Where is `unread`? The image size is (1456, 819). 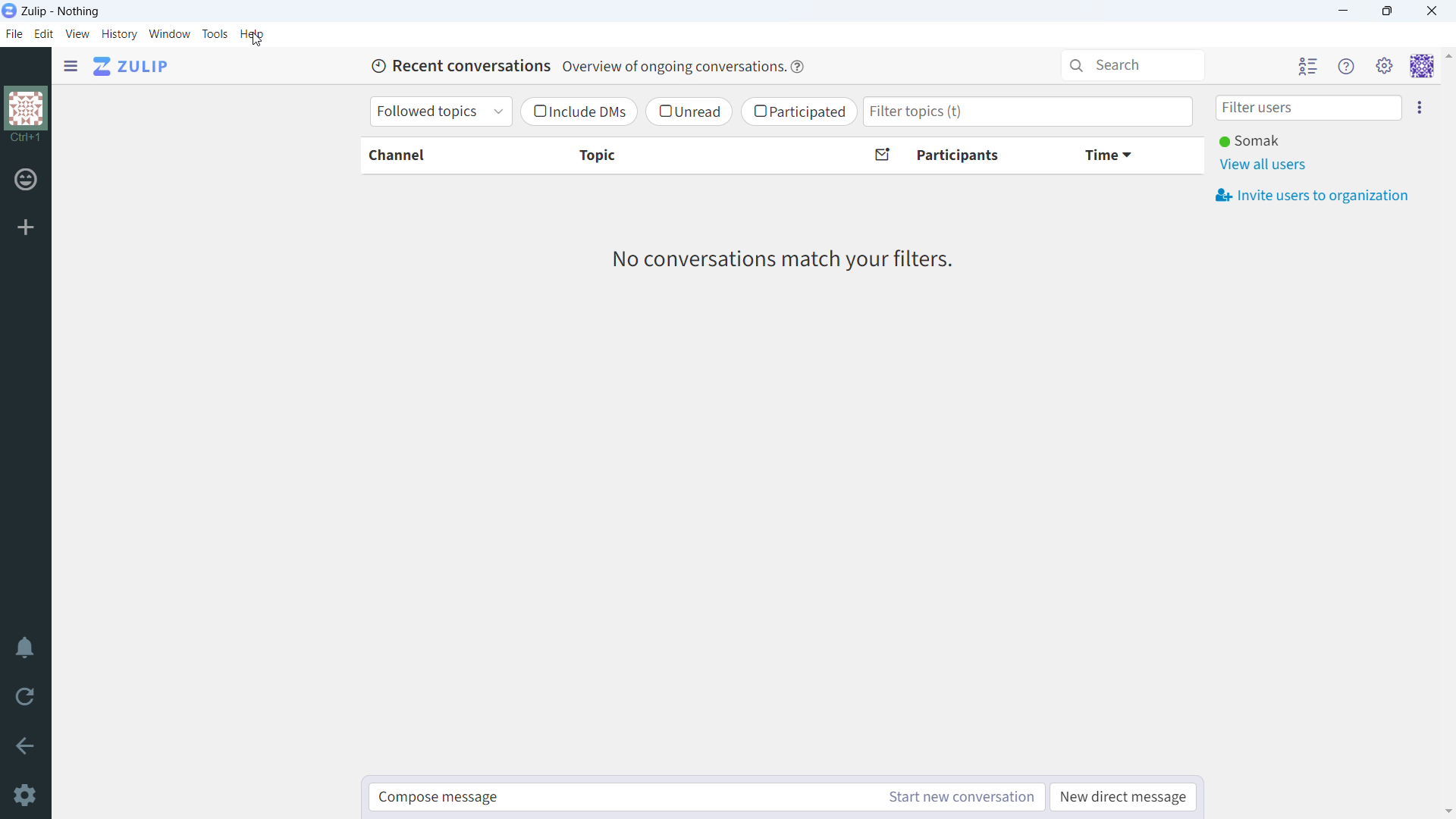
unread is located at coordinates (687, 111).